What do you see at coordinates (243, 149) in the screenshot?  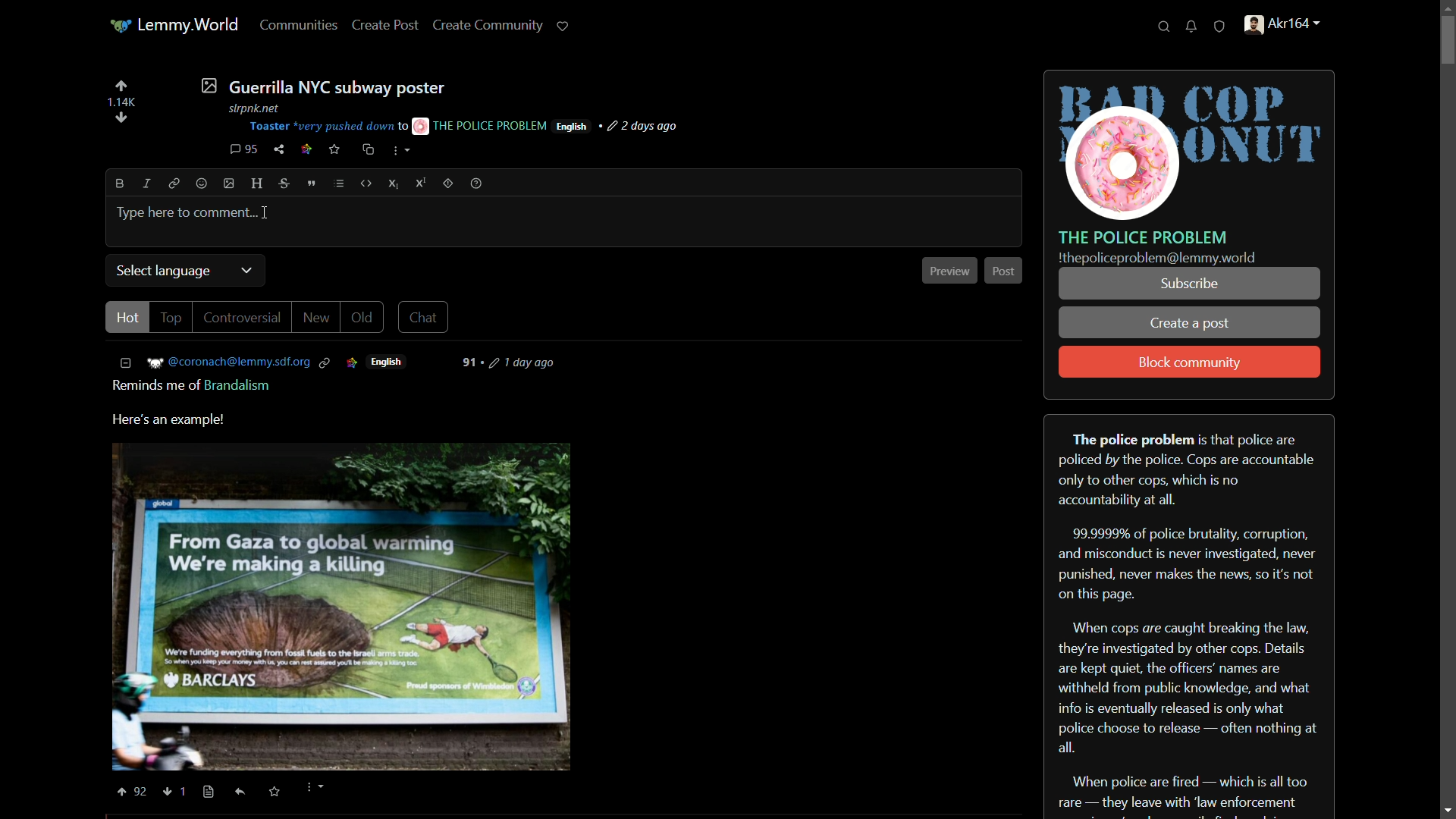 I see `comment` at bounding box center [243, 149].